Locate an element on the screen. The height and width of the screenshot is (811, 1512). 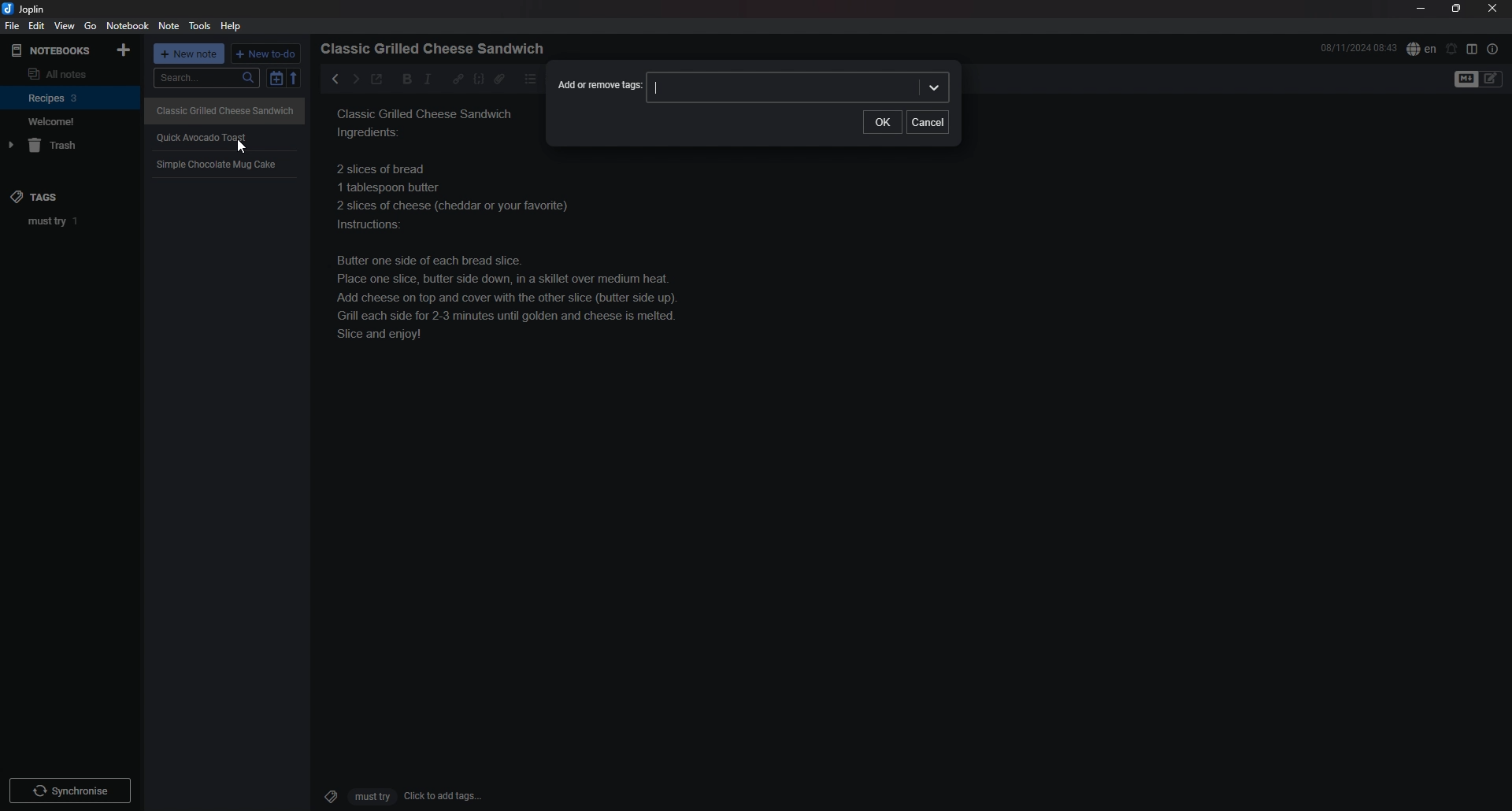
italic is located at coordinates (428, 79).